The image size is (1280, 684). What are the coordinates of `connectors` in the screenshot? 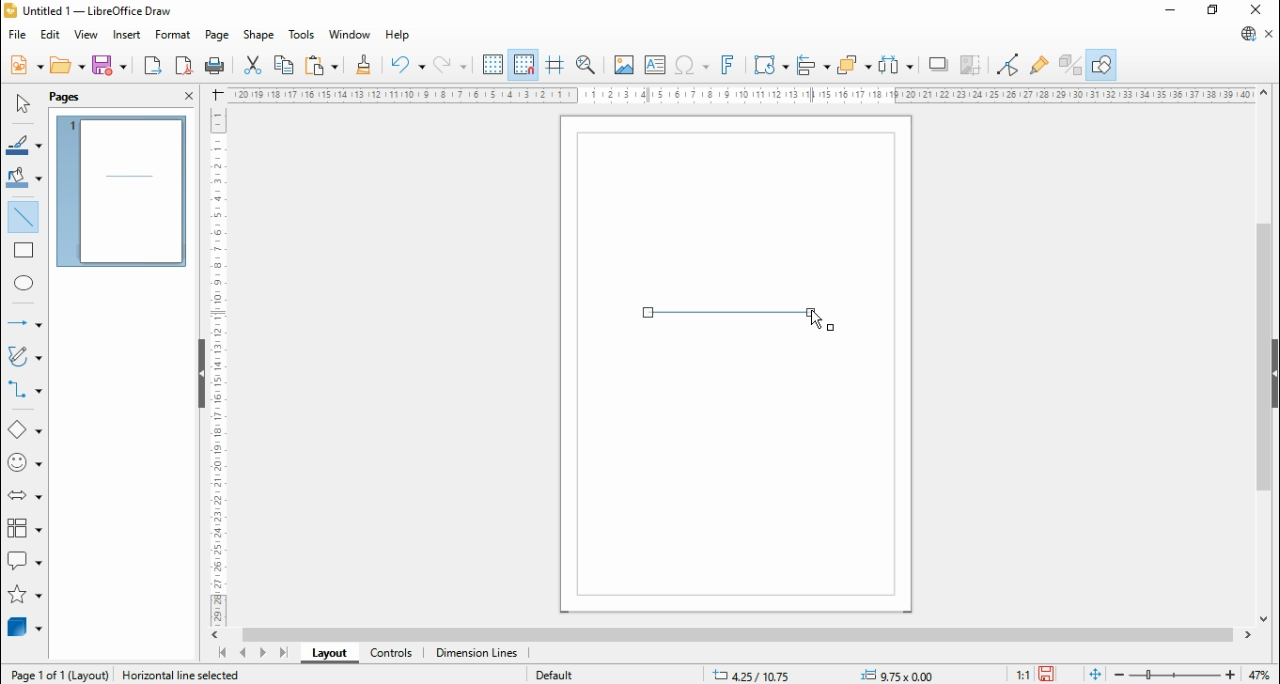 It's located at (24, 388).